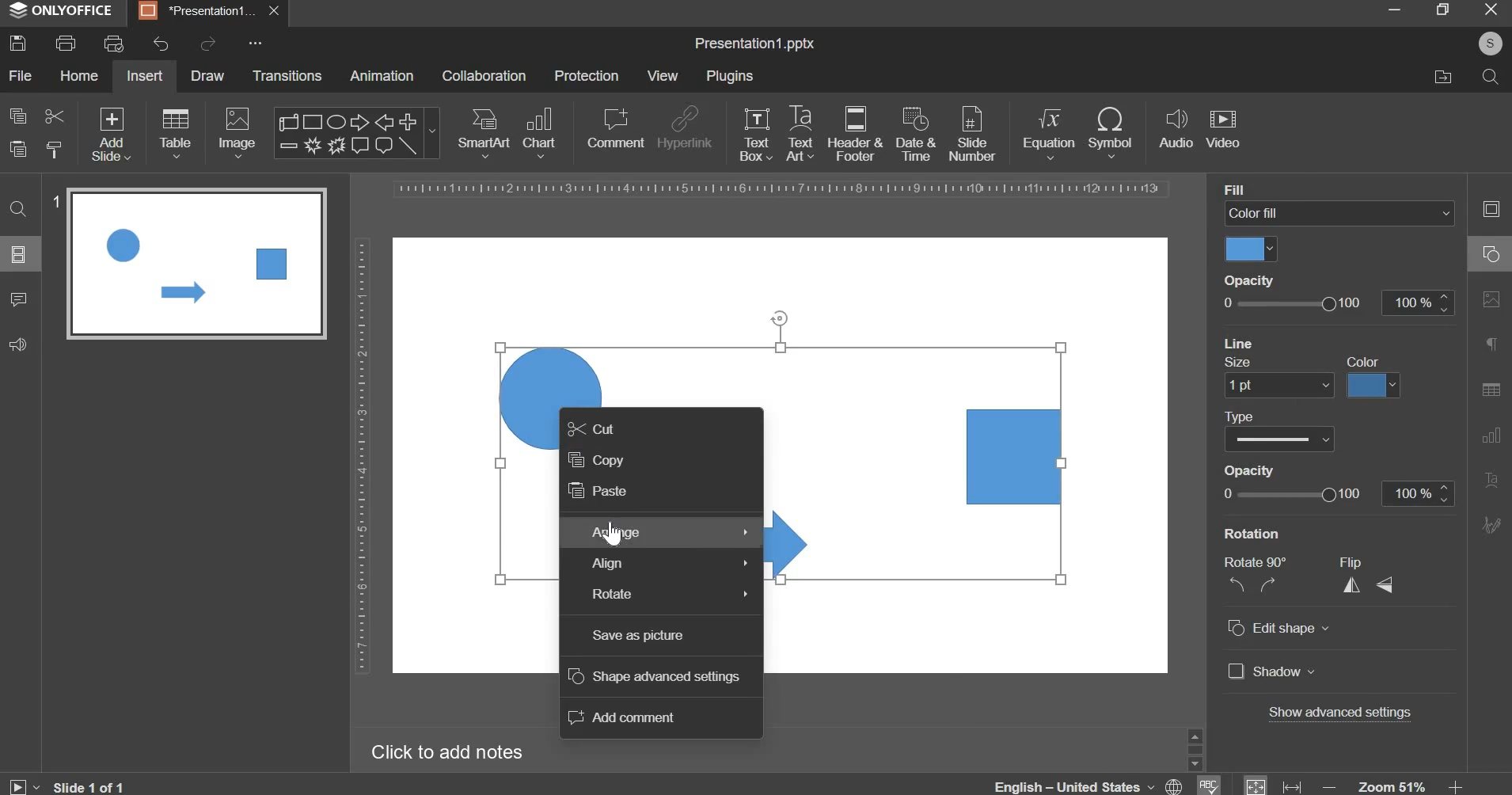 The image size is (1512, 795). Describe the element at coordinates (1335, 302) in the screenshot. I see `opacity` at that location.